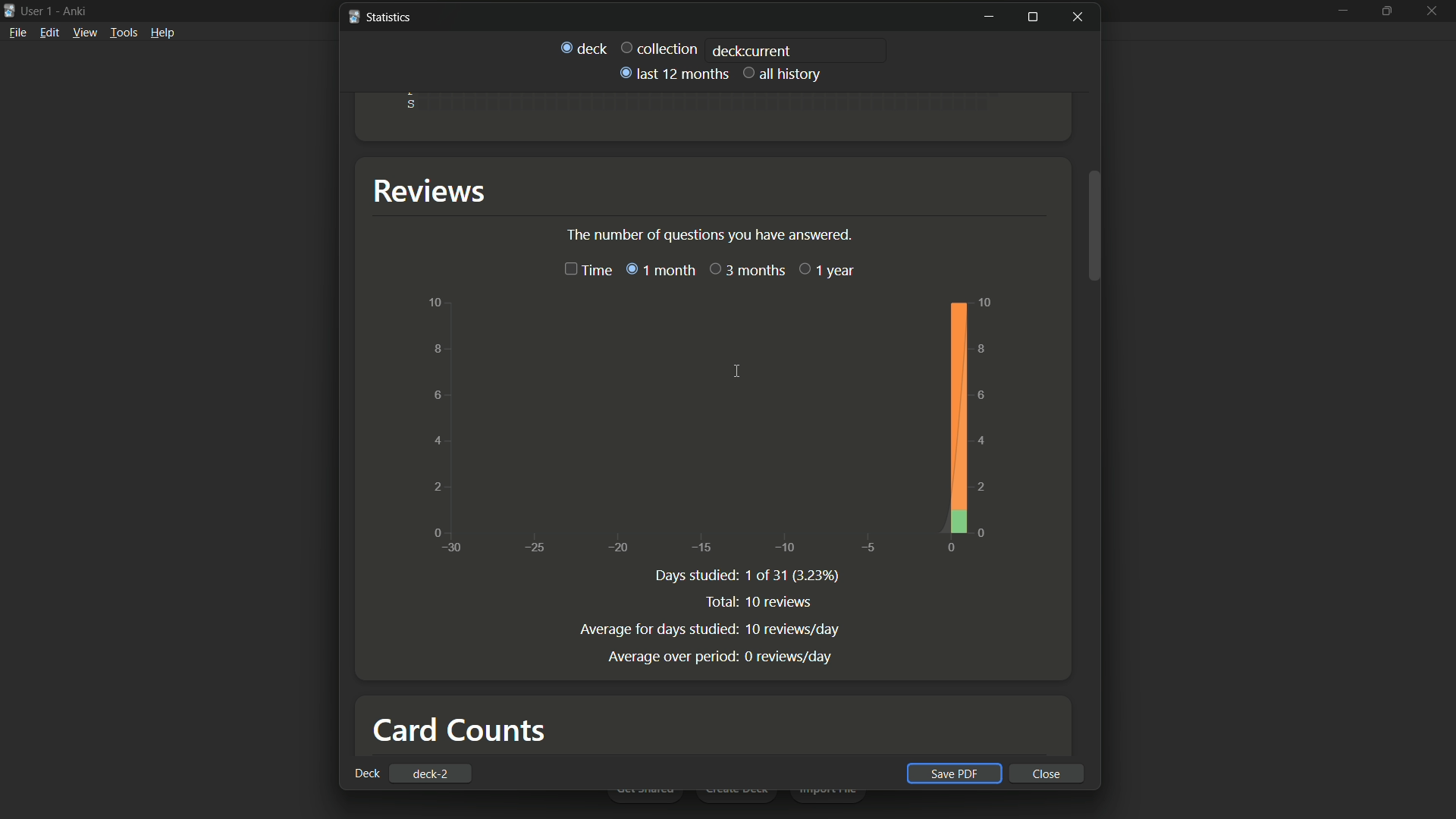  What do you see at coordinates (672, 73) in the screenshot?
I see `Last 12 months` at bounding box center [672, 73].